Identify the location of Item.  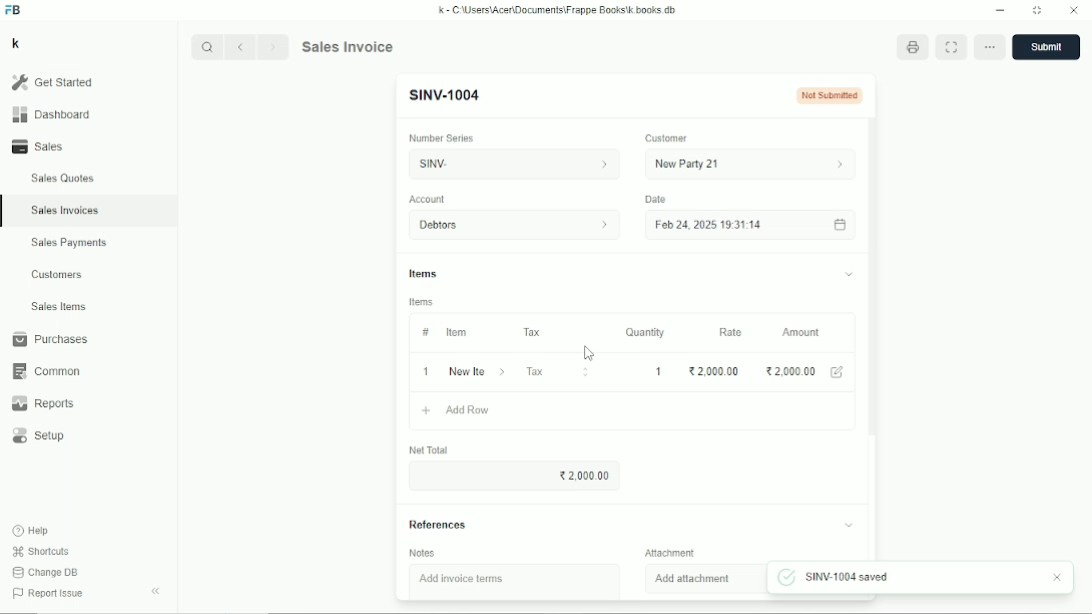
(456, 332).